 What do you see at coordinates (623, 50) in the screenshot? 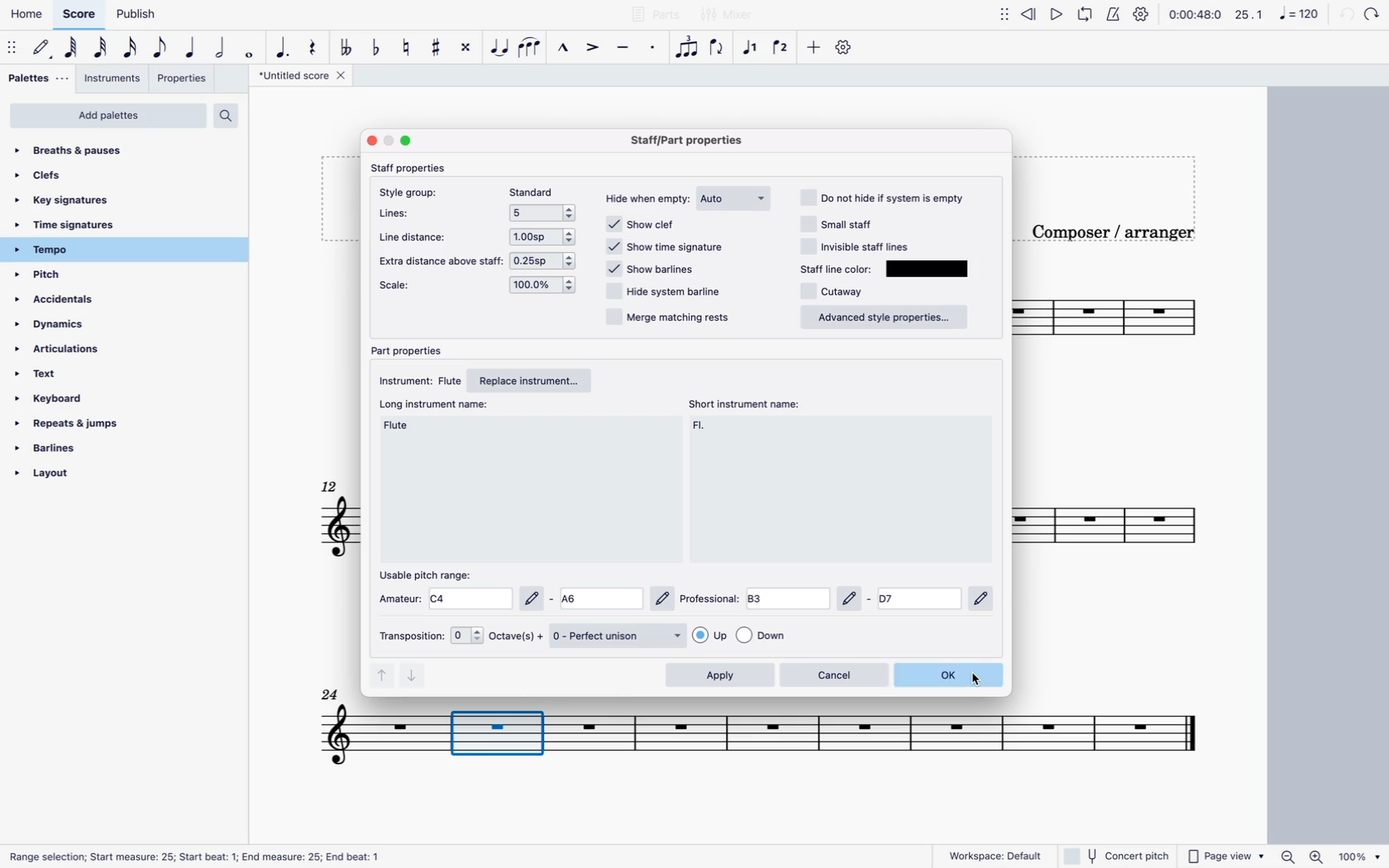
I see `tenuto` at bounding box center [623, 50].